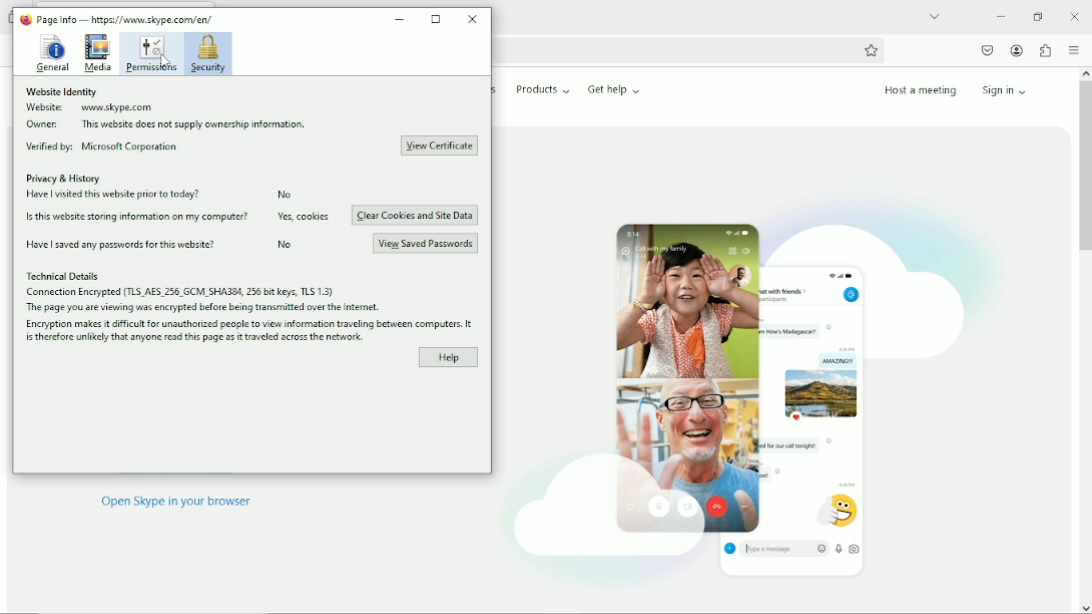  Describe the element at coordinates (177, 214) in the screenshot. I see `Privacy & History

Hove Ltd this webte pric to ody? No

Ishi website storing information on my compute? Yes, cookies
Have saved amy passwords for ths website? No` at that location.